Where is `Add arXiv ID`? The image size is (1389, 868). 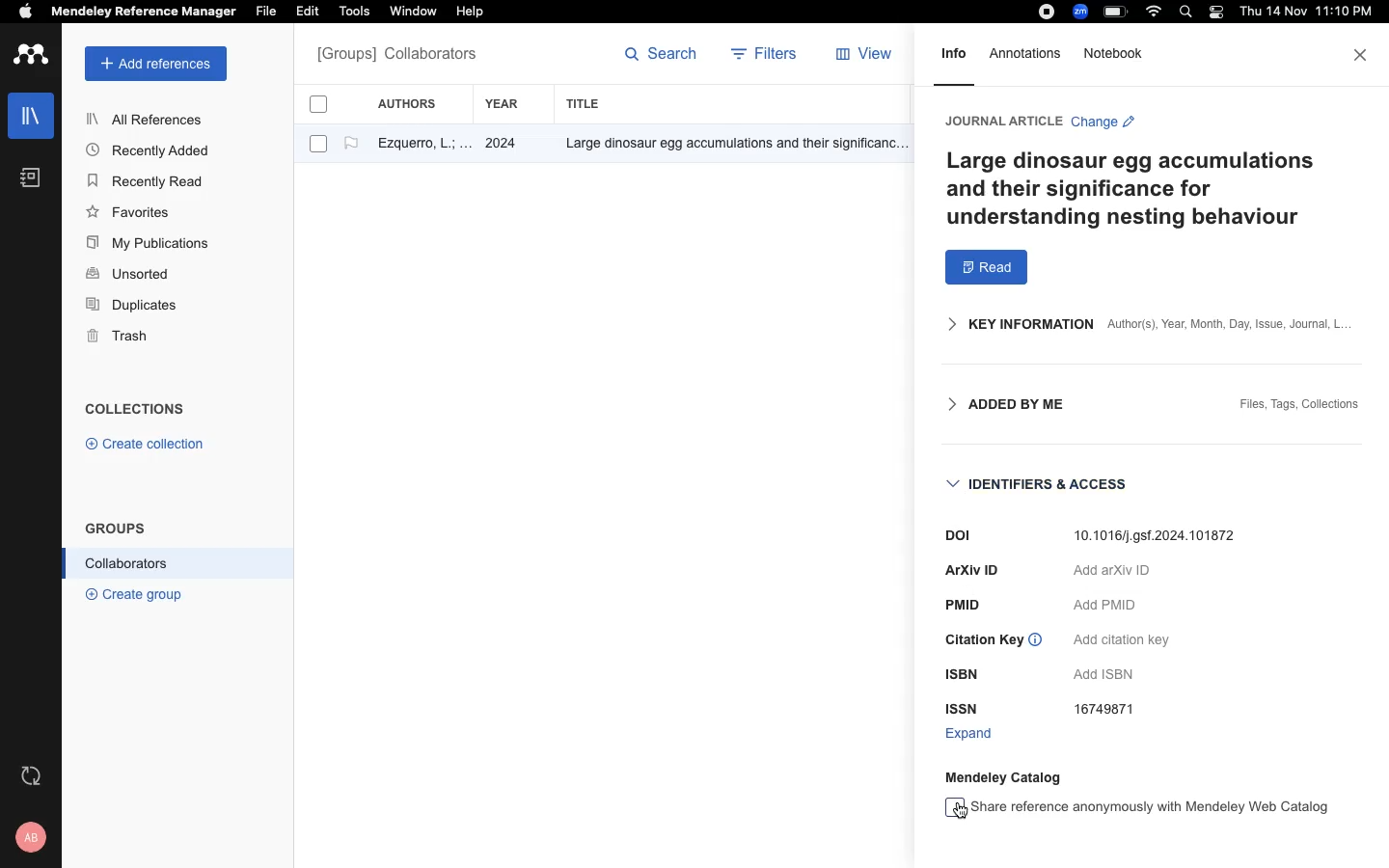 Add arXiv ID is located at coordinates (1111, 574).